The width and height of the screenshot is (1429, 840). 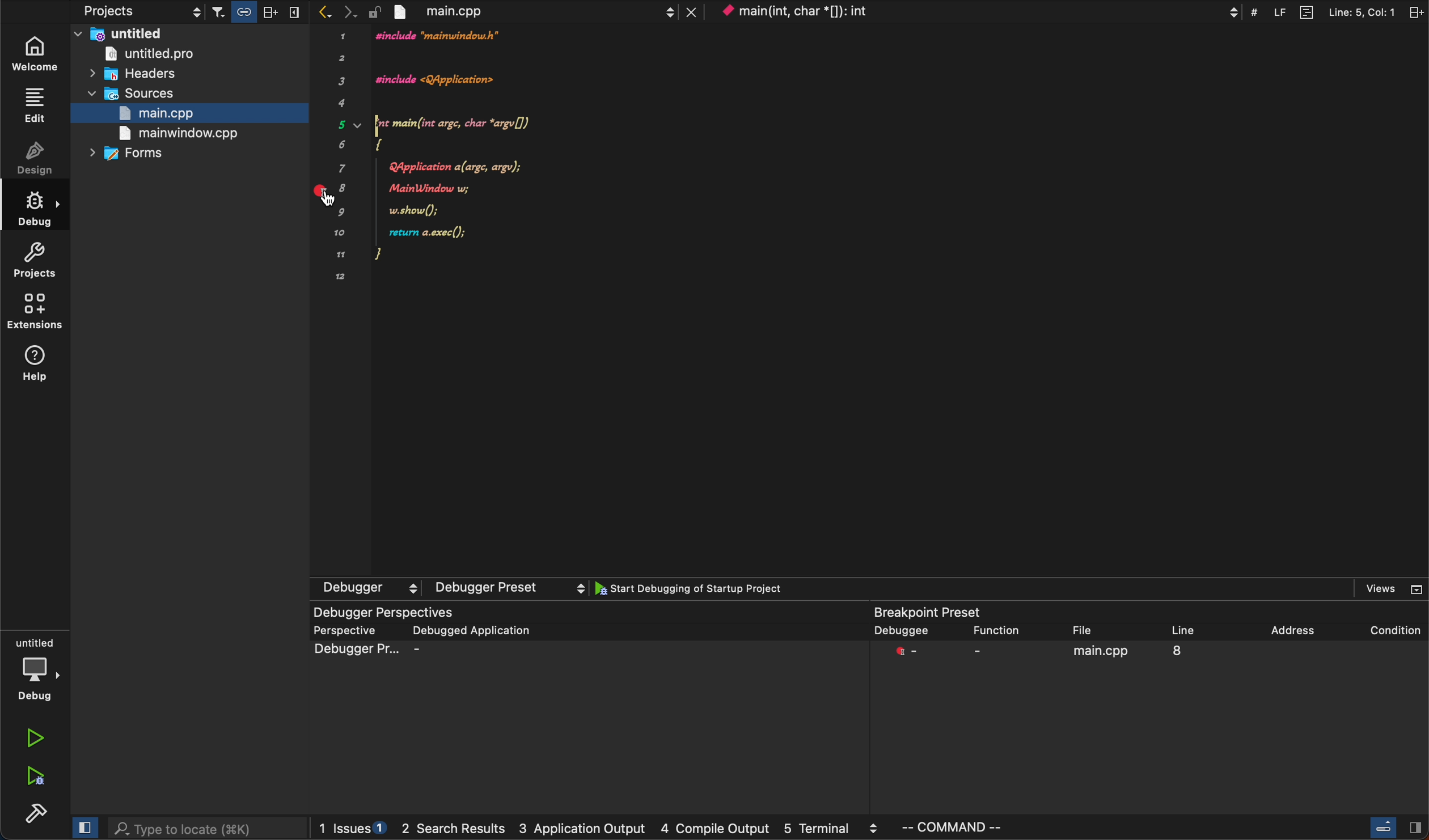 What do you see at coordinates (1154, 658) in the screenshot?
I see `end point` at bounding box center [1154, 658].